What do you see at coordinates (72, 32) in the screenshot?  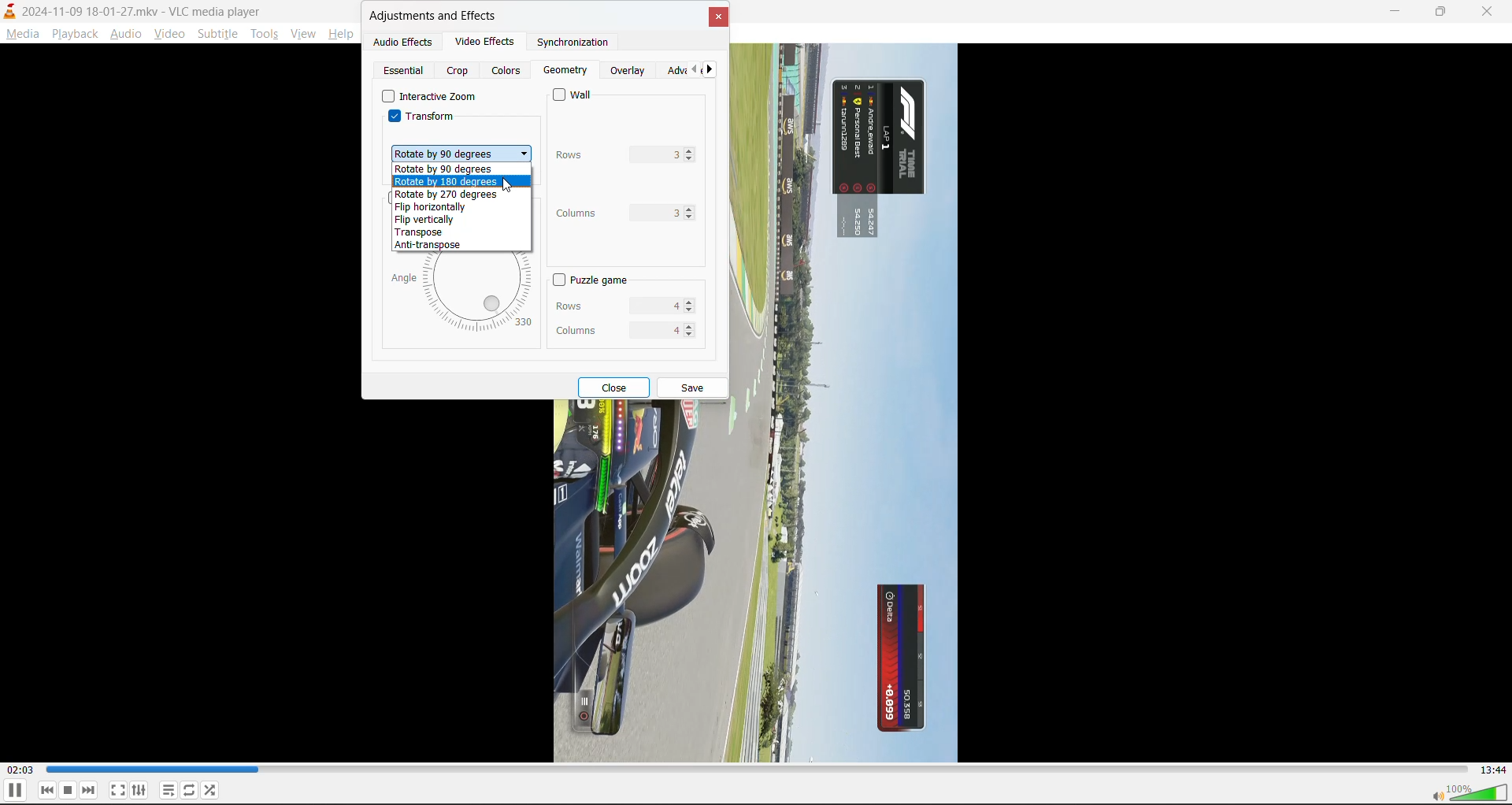 I see `playback` at bounding box center [72, 32].